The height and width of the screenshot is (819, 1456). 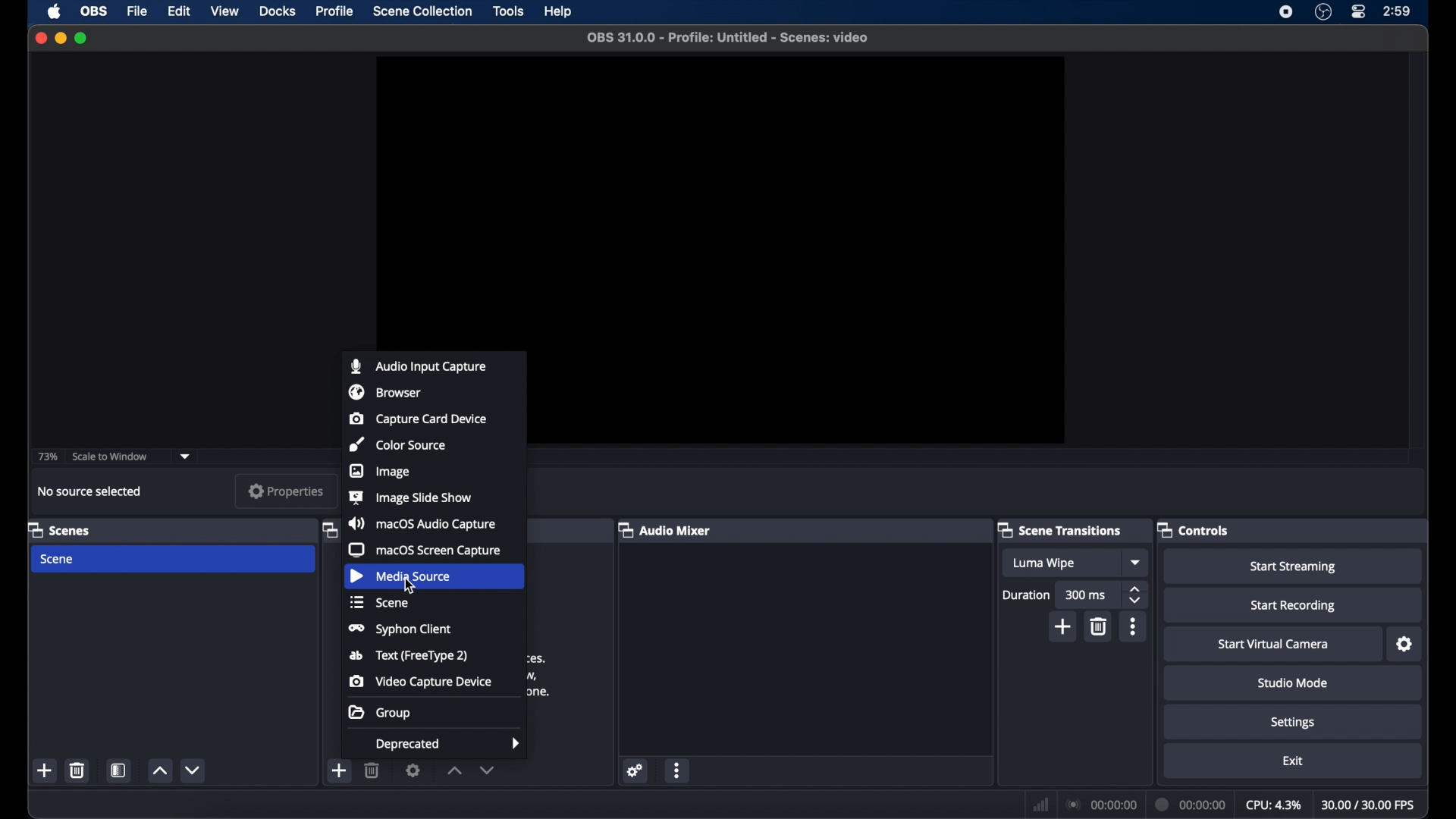 I want to click on 300 ms, so click(x=1087, y=594).